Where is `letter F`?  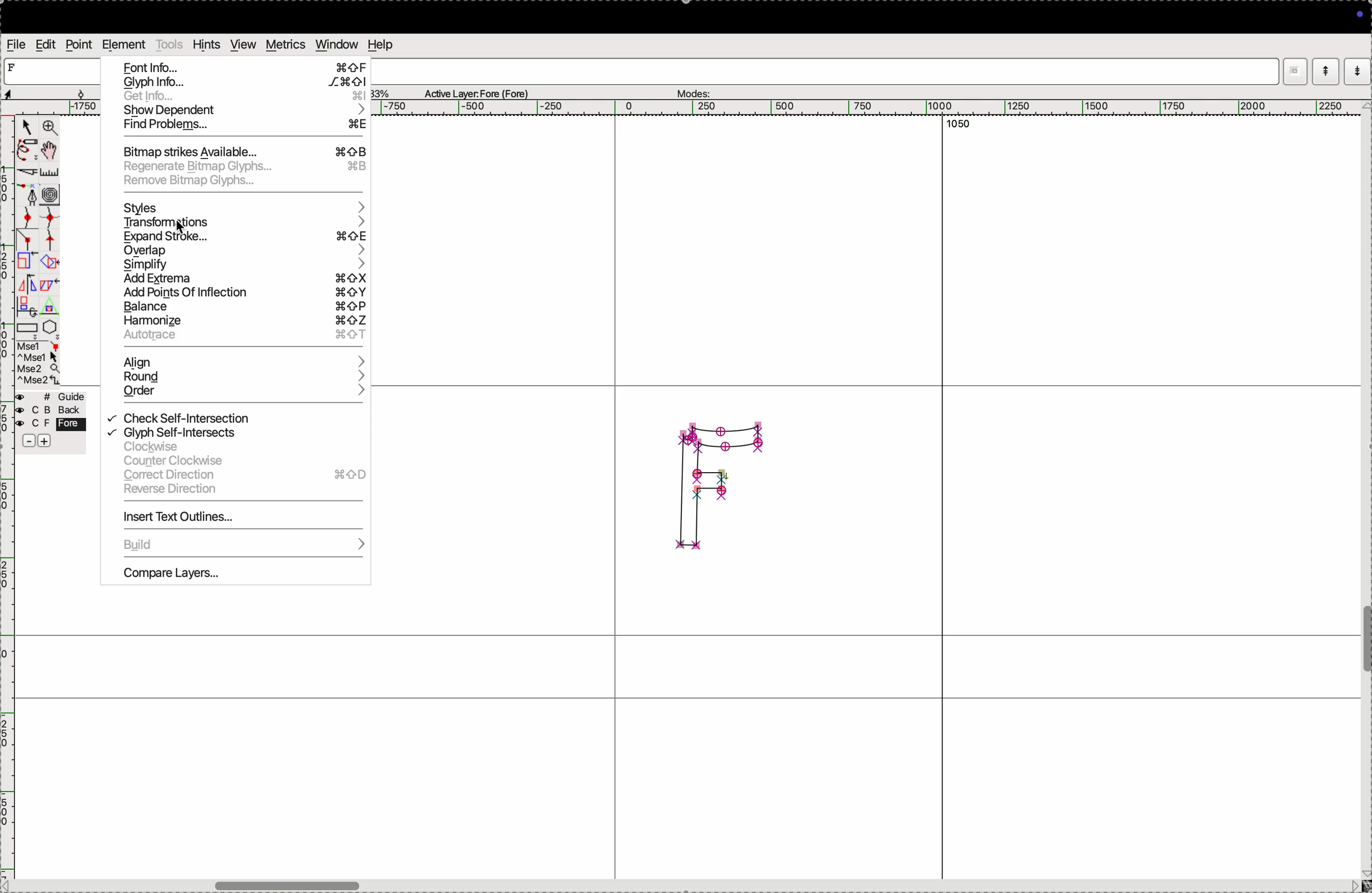
letter F is located at coordinates (14, 67).